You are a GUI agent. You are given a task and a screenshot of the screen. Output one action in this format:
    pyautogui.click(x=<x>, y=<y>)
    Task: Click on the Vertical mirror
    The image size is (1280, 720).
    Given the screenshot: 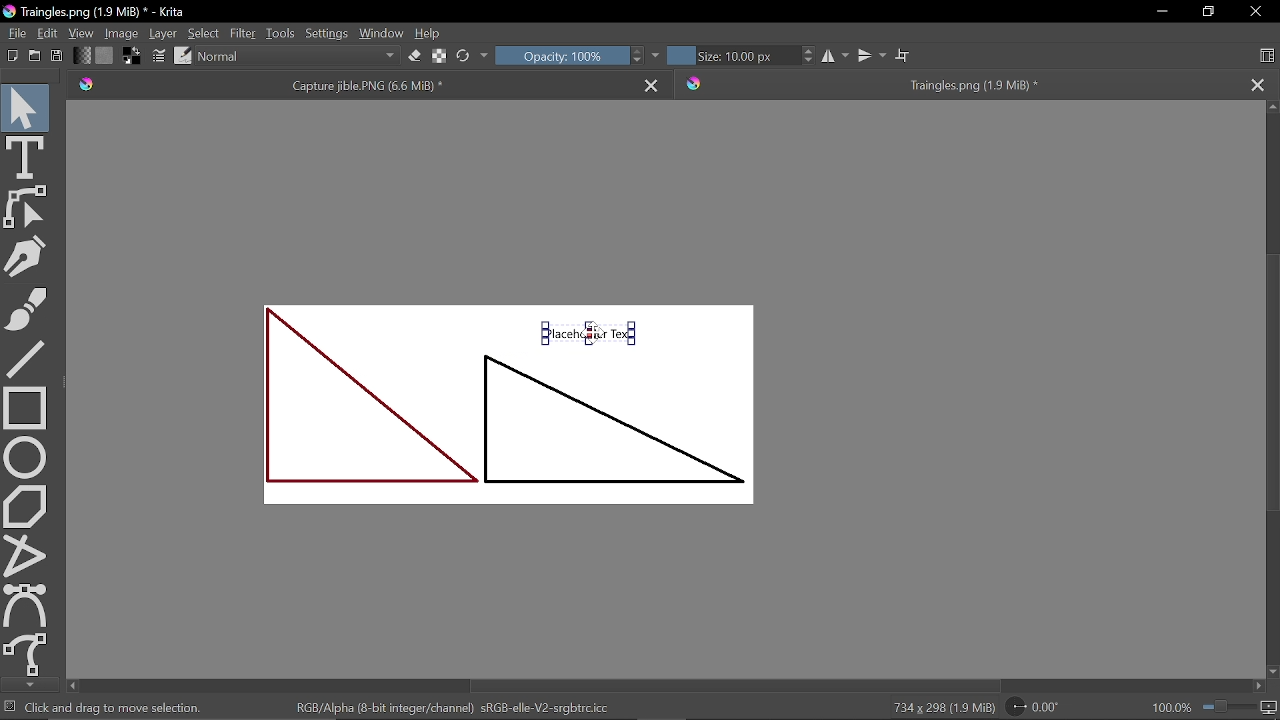 What is the action you would take?
    pyautogui.click(x=874, y=53)
    